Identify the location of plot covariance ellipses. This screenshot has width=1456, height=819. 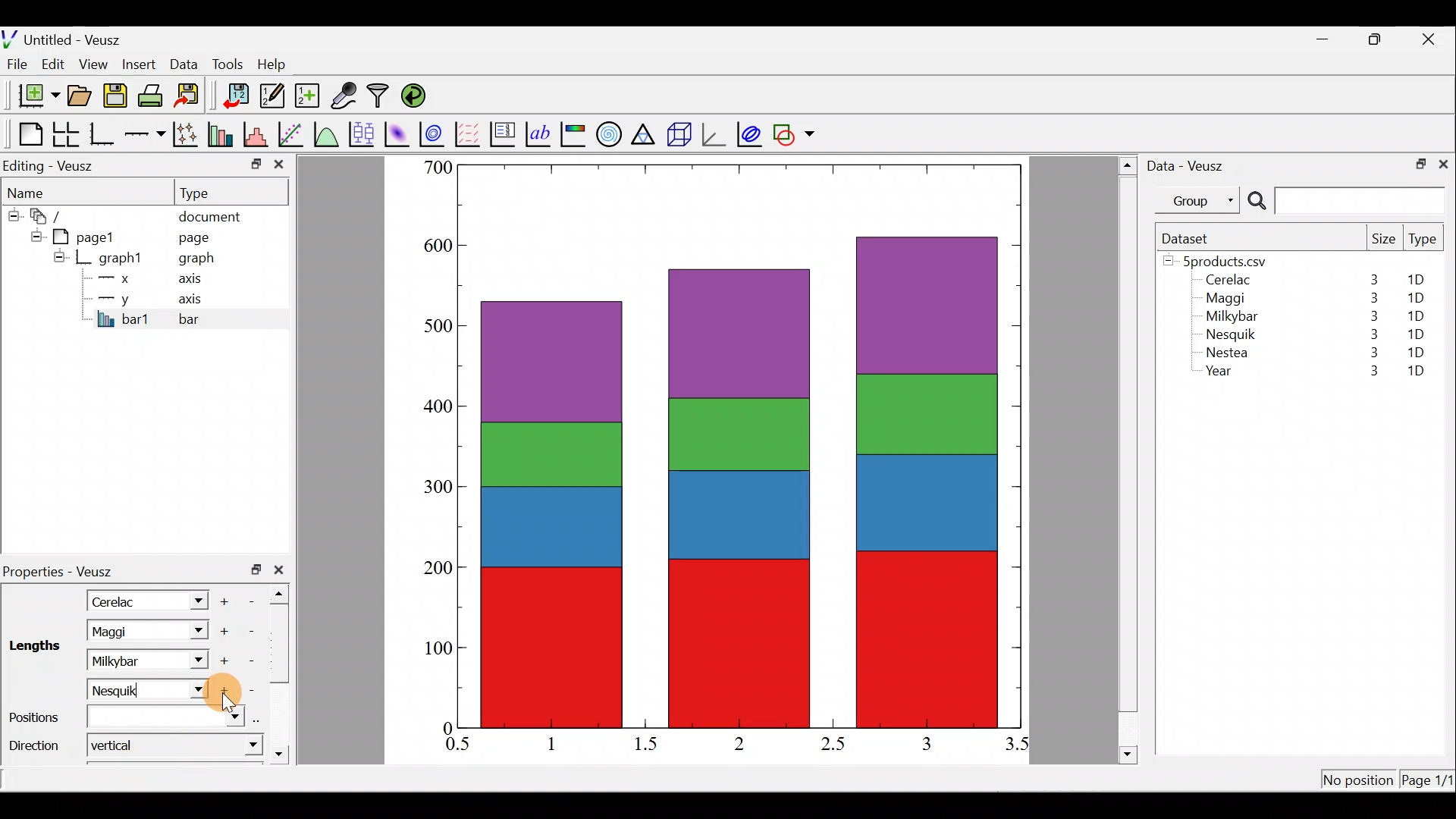
(751, 133).